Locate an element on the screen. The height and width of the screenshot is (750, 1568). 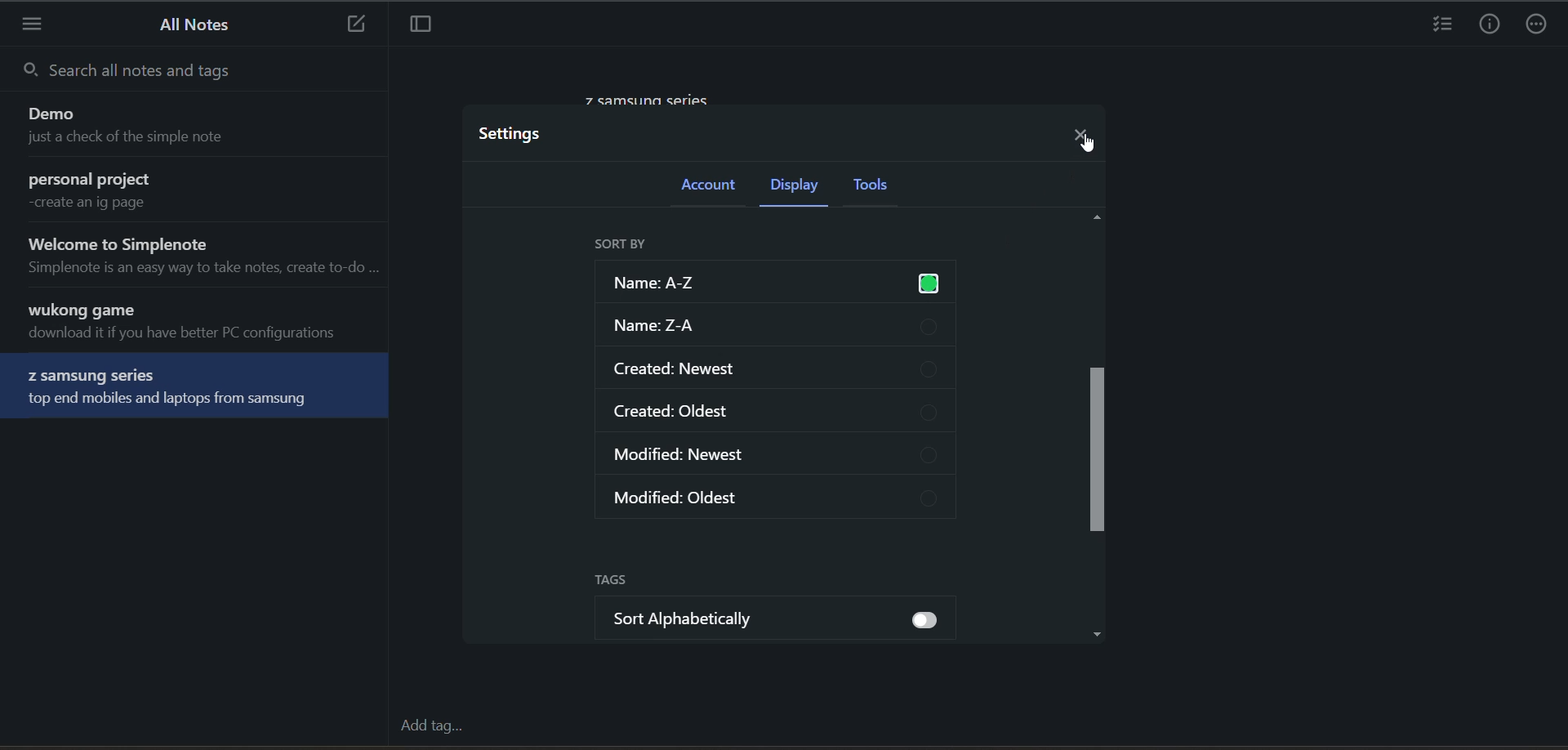
search all notes and tags is located at coordinates (195, 71).